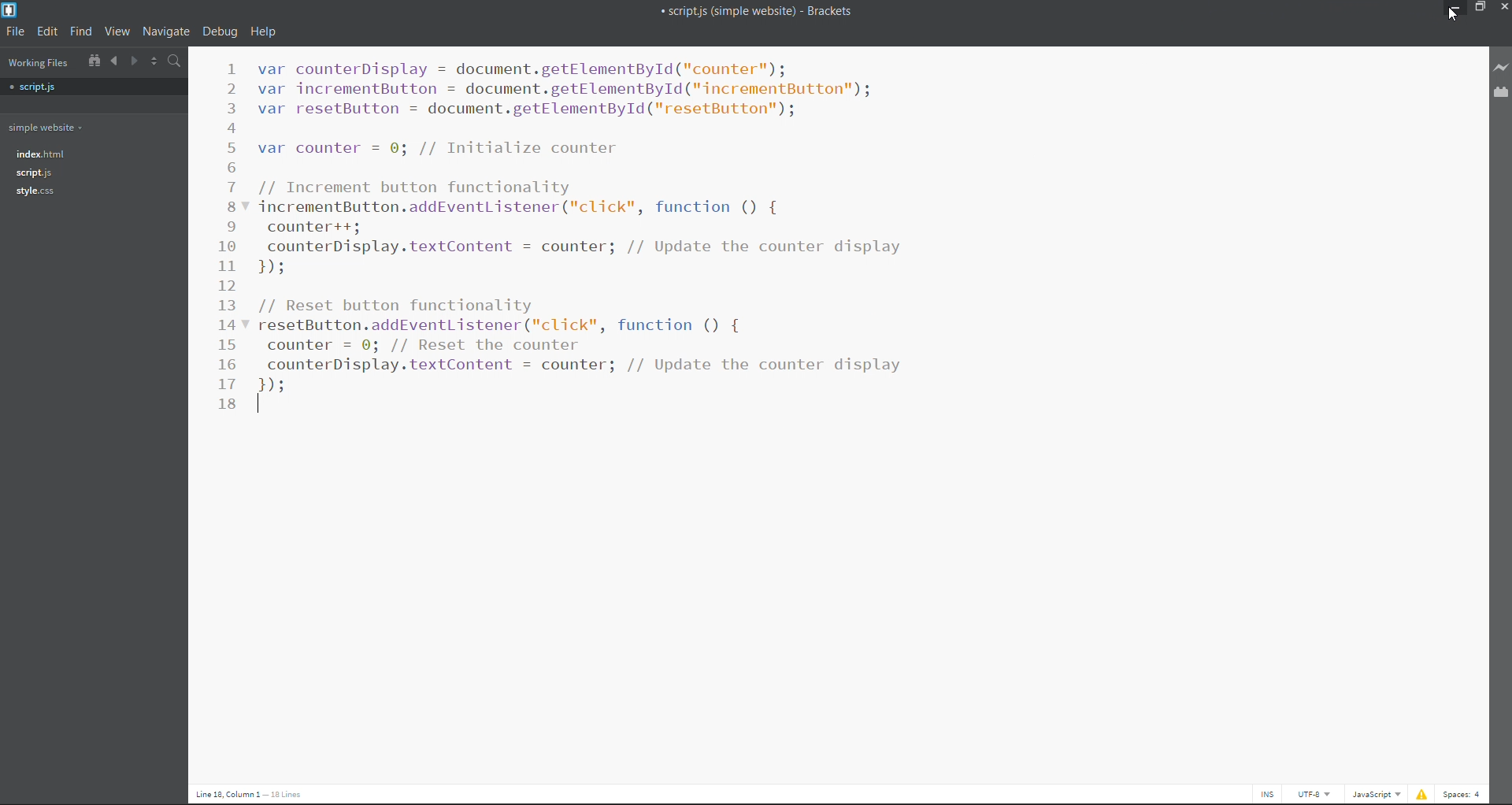 This screenshot has width=1512, height=805. What do you see at coordinates (1480, 9) in the screenshot?
I see `maximize/restore` at bounding box center [1480, 9].